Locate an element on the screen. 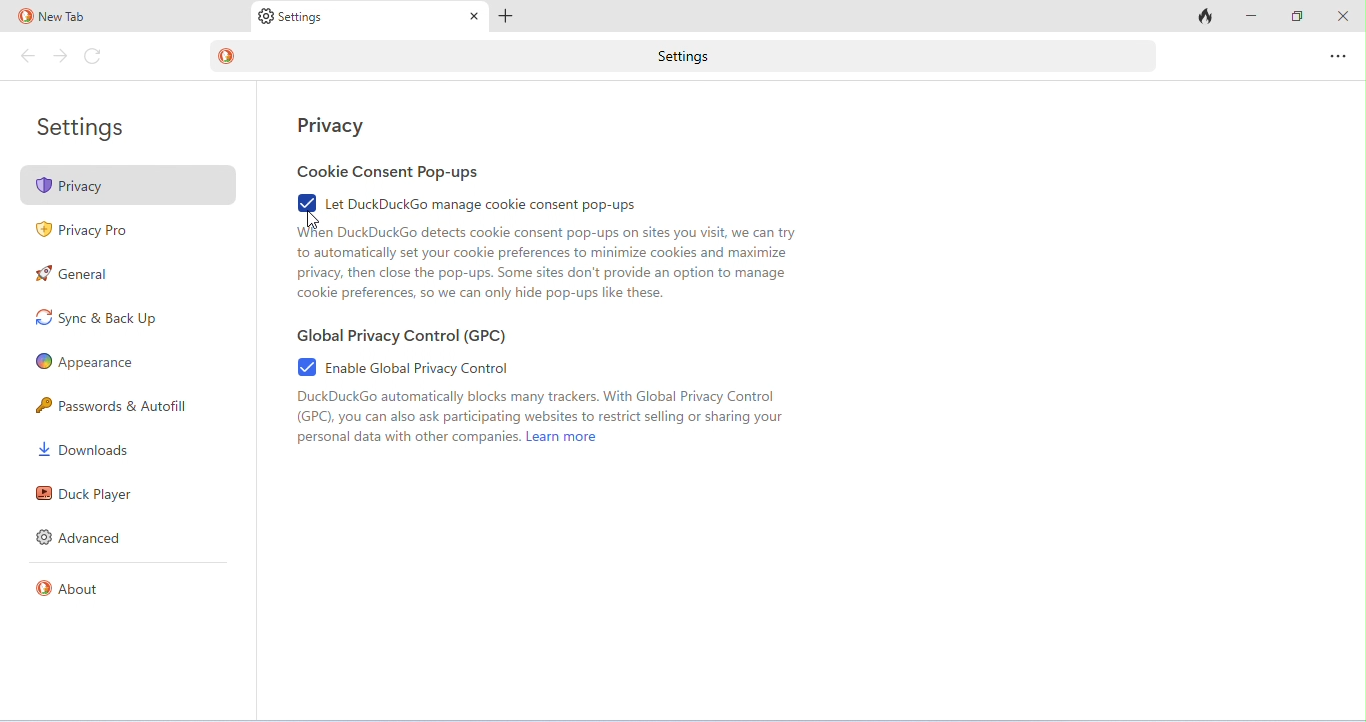 This screenshot has height=722, width=1366. go back is located at coordinates (30, 56).